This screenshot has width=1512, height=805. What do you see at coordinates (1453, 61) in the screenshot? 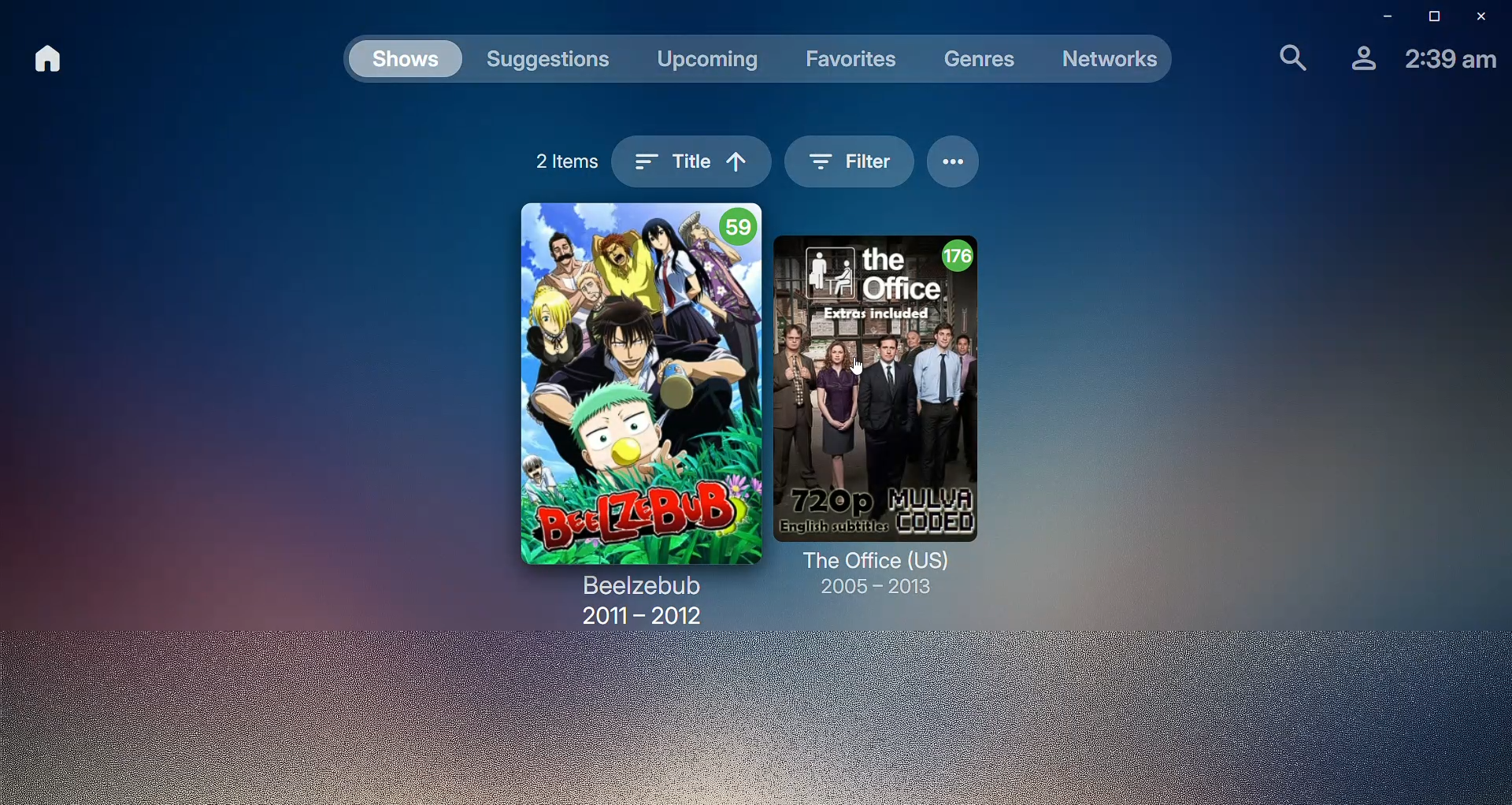
I see `Time` at bounding box center [1453, 61].